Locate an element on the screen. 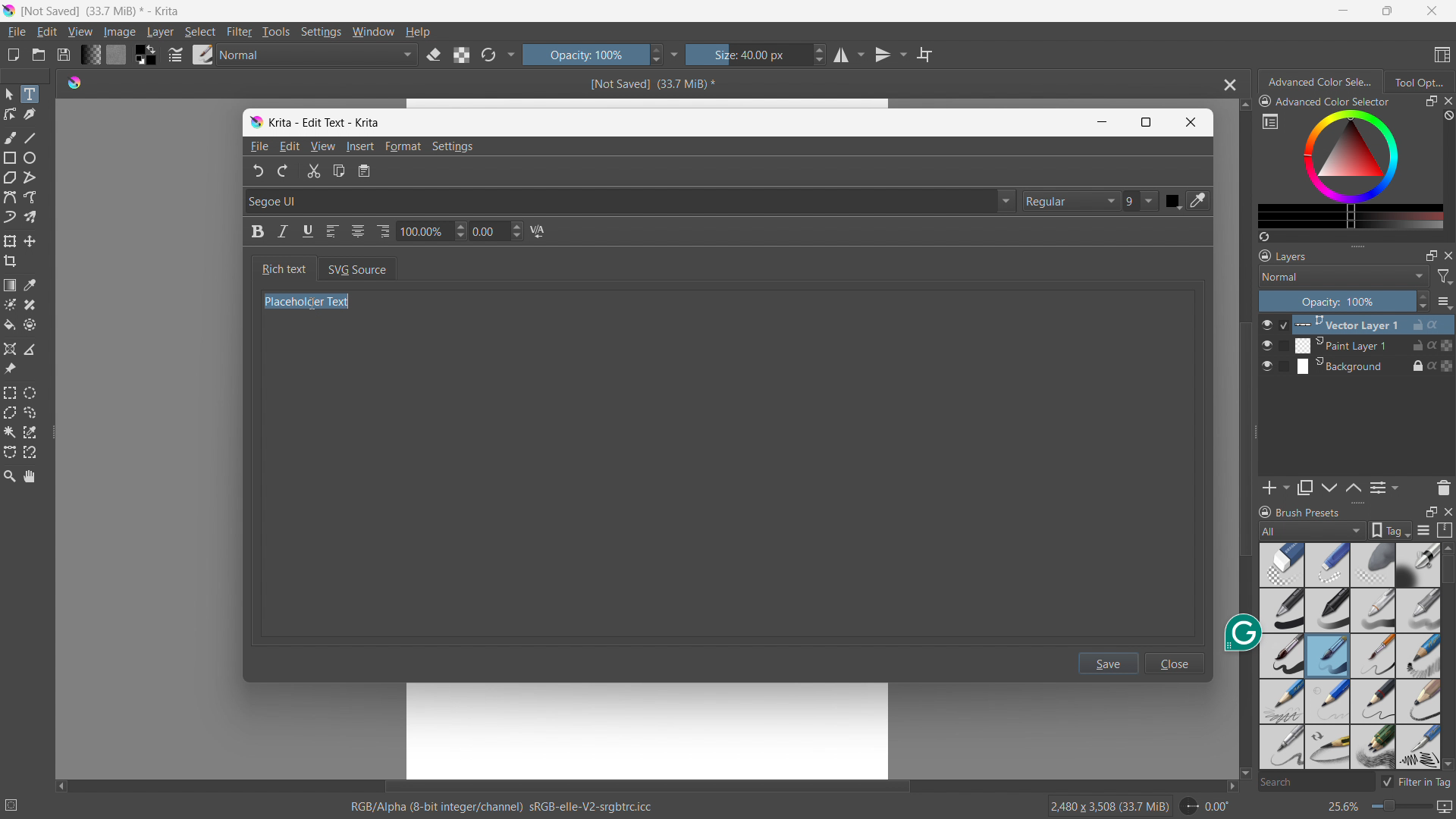  freehand brush tool is located at coordinates (11, 137).